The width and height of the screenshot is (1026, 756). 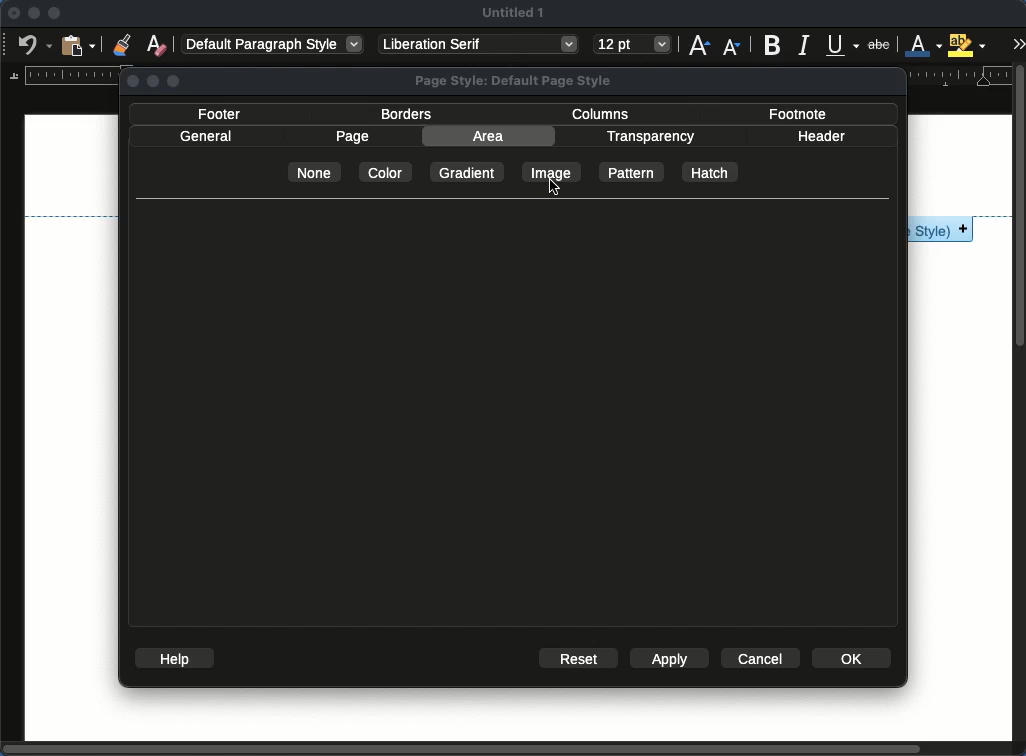 What do you see at coordinates (351, 136) in the screenshot?
I see `page` at bounding box center [351, 136].